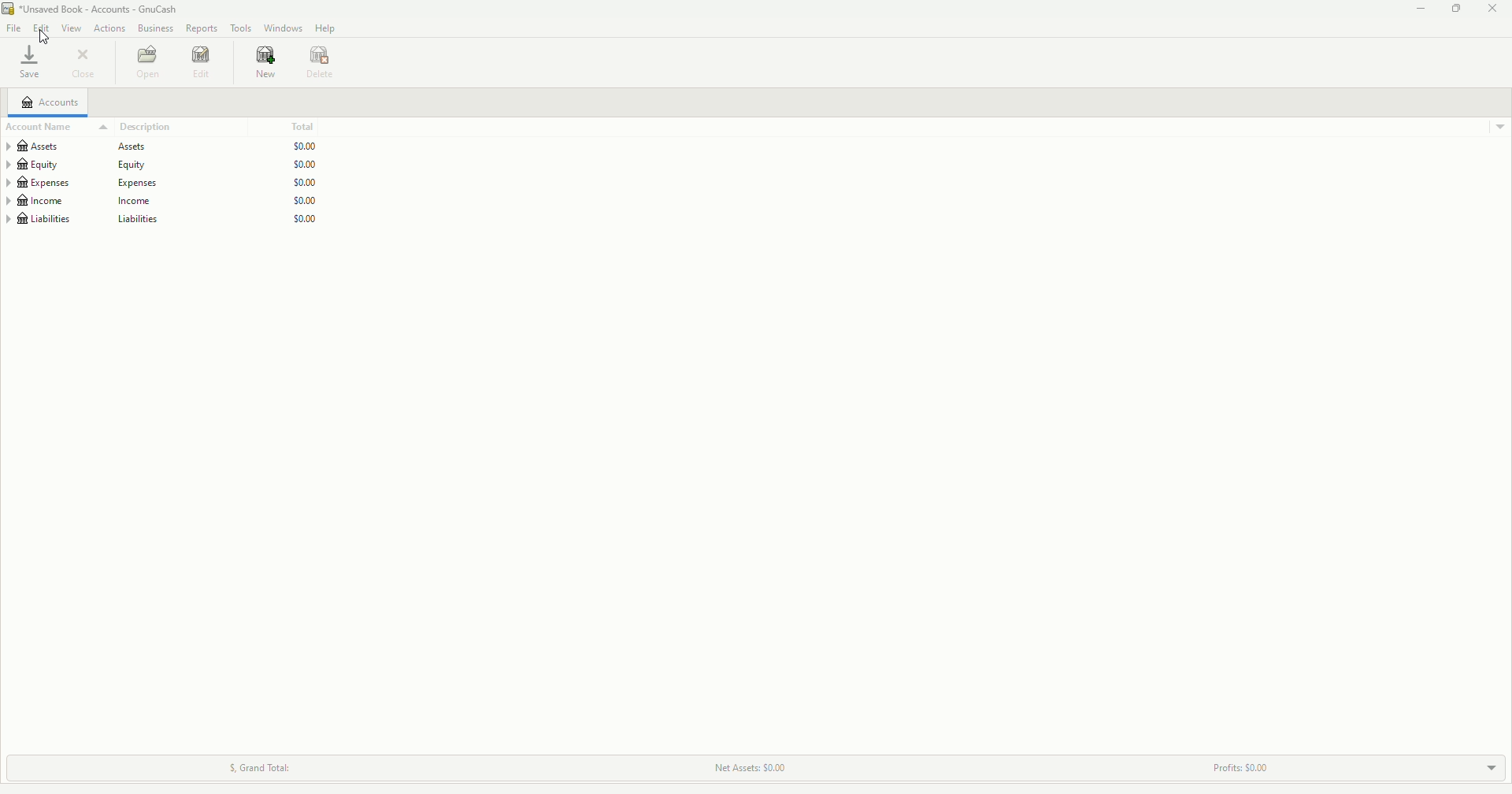  What do you see at coordinates (320, 61) in the screenshot?
I see `Delete` at bounding box center [320, 61].